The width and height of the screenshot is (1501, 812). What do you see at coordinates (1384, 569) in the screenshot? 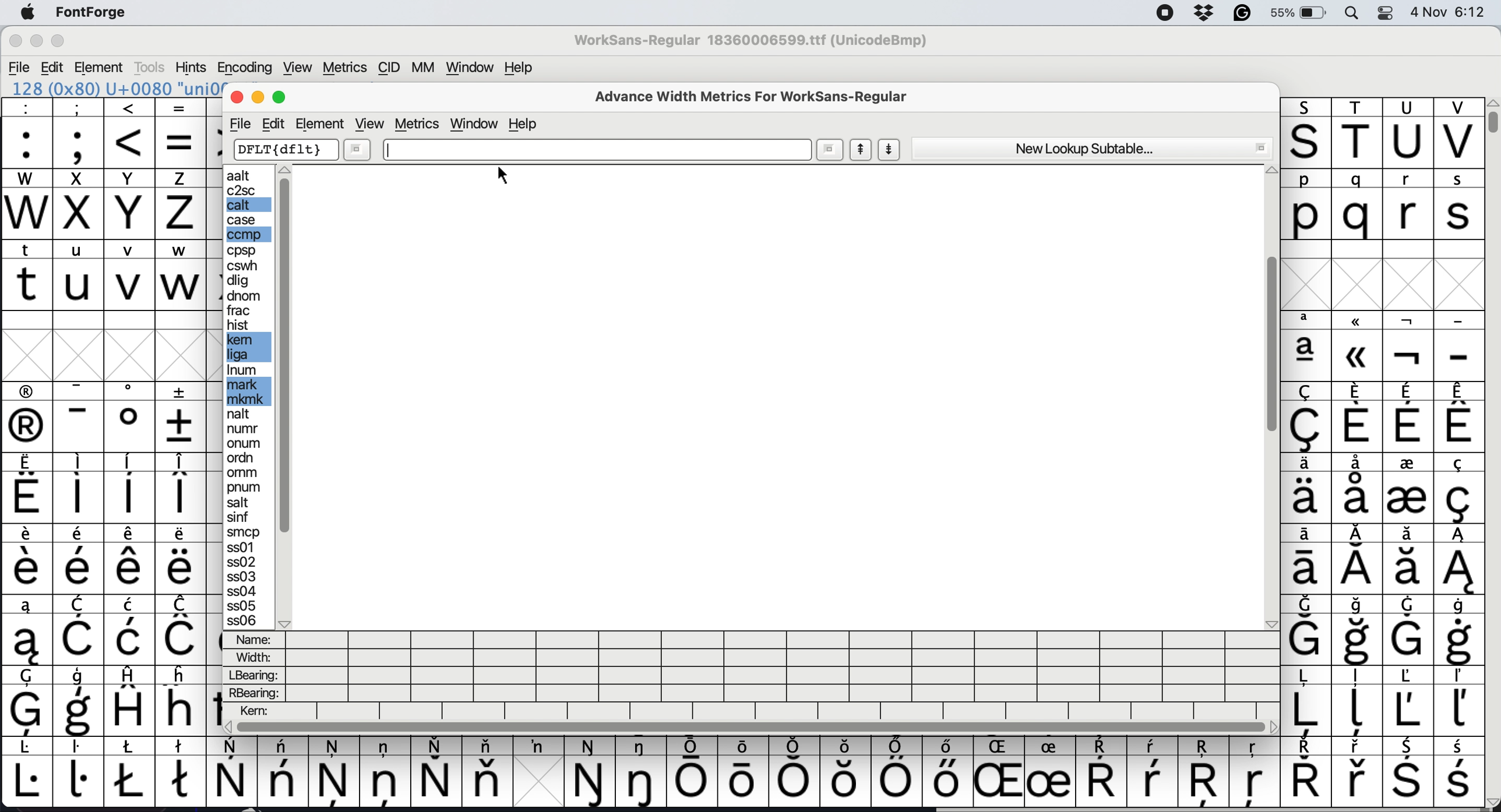
I see `special characters` at bounding box center [1384, 569].